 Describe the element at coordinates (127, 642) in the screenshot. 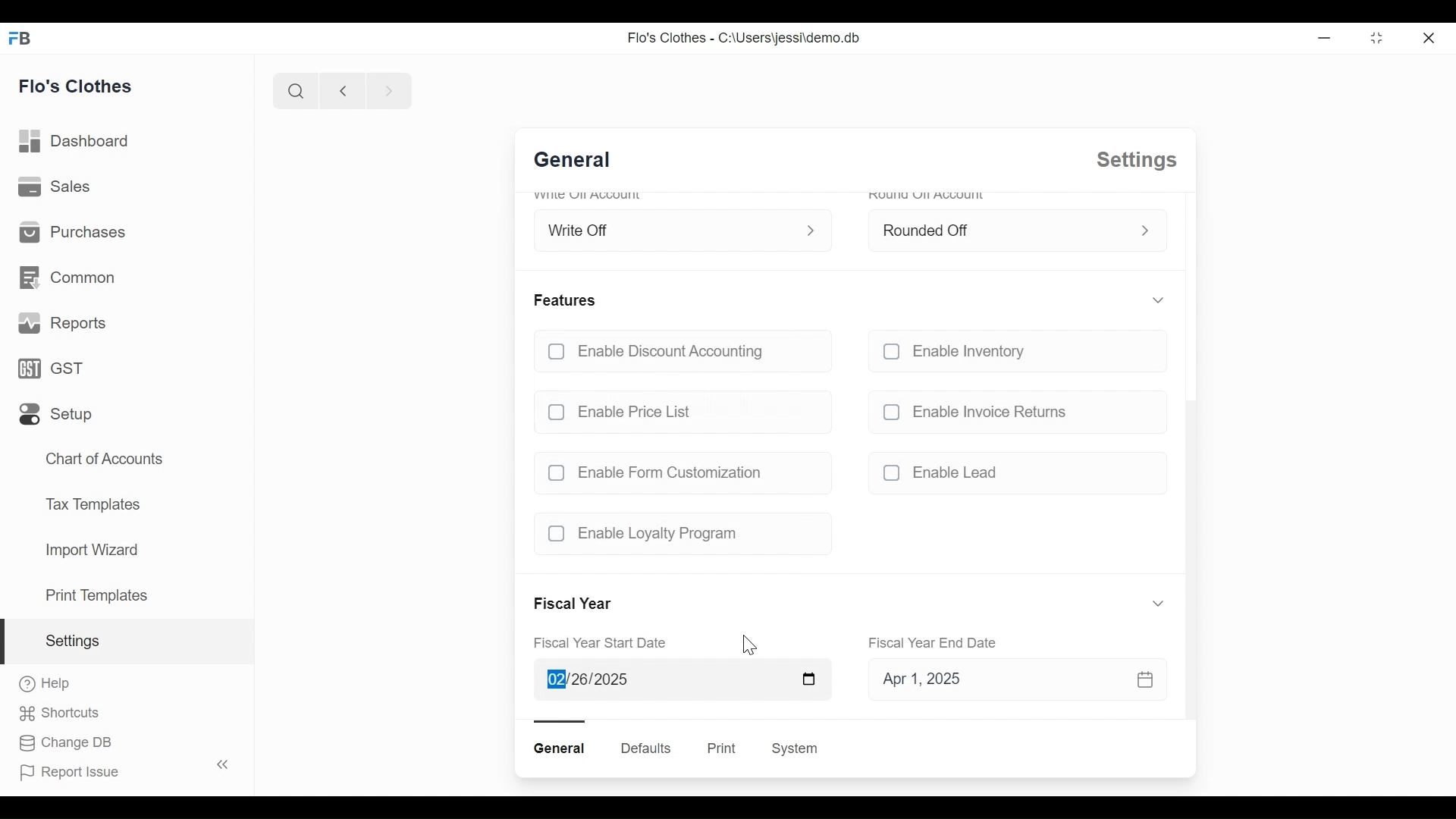

I see `Settings` at that location.